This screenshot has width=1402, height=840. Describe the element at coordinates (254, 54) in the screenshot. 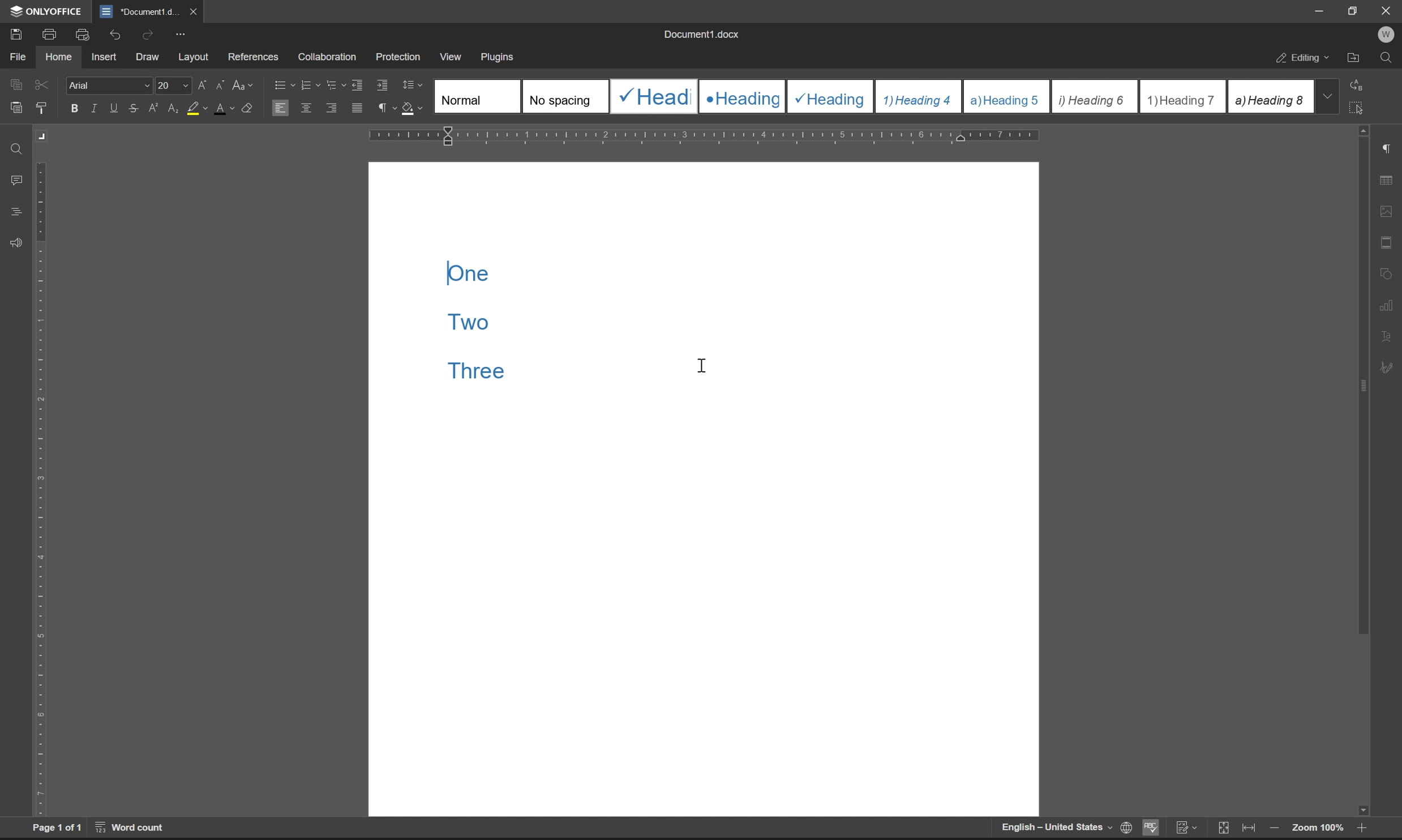

I see `references` at that location.